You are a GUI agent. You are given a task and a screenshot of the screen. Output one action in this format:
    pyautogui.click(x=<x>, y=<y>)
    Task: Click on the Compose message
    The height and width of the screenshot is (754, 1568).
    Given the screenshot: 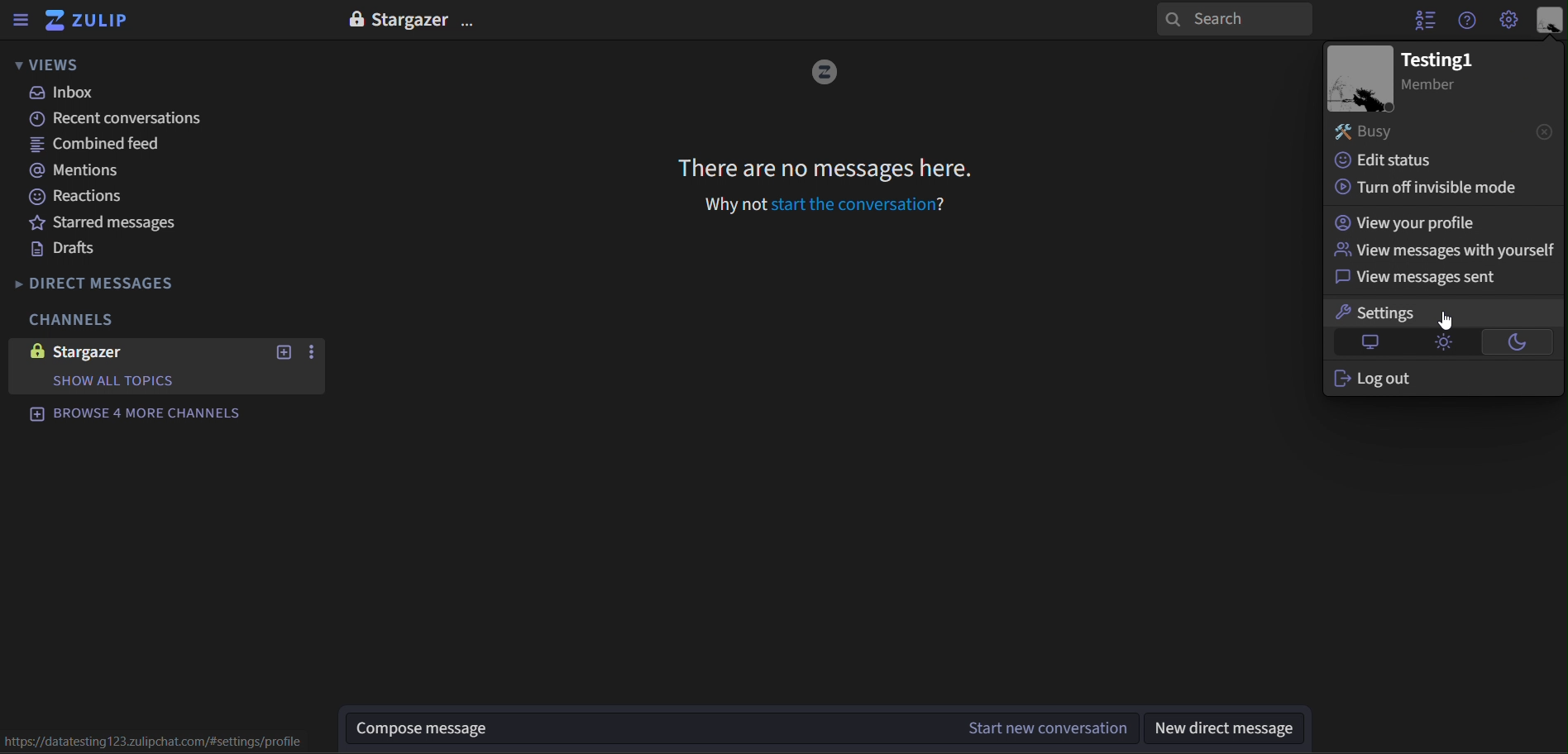 What is the action you would take?
    pyautogui.click(x=643, y=730)
    